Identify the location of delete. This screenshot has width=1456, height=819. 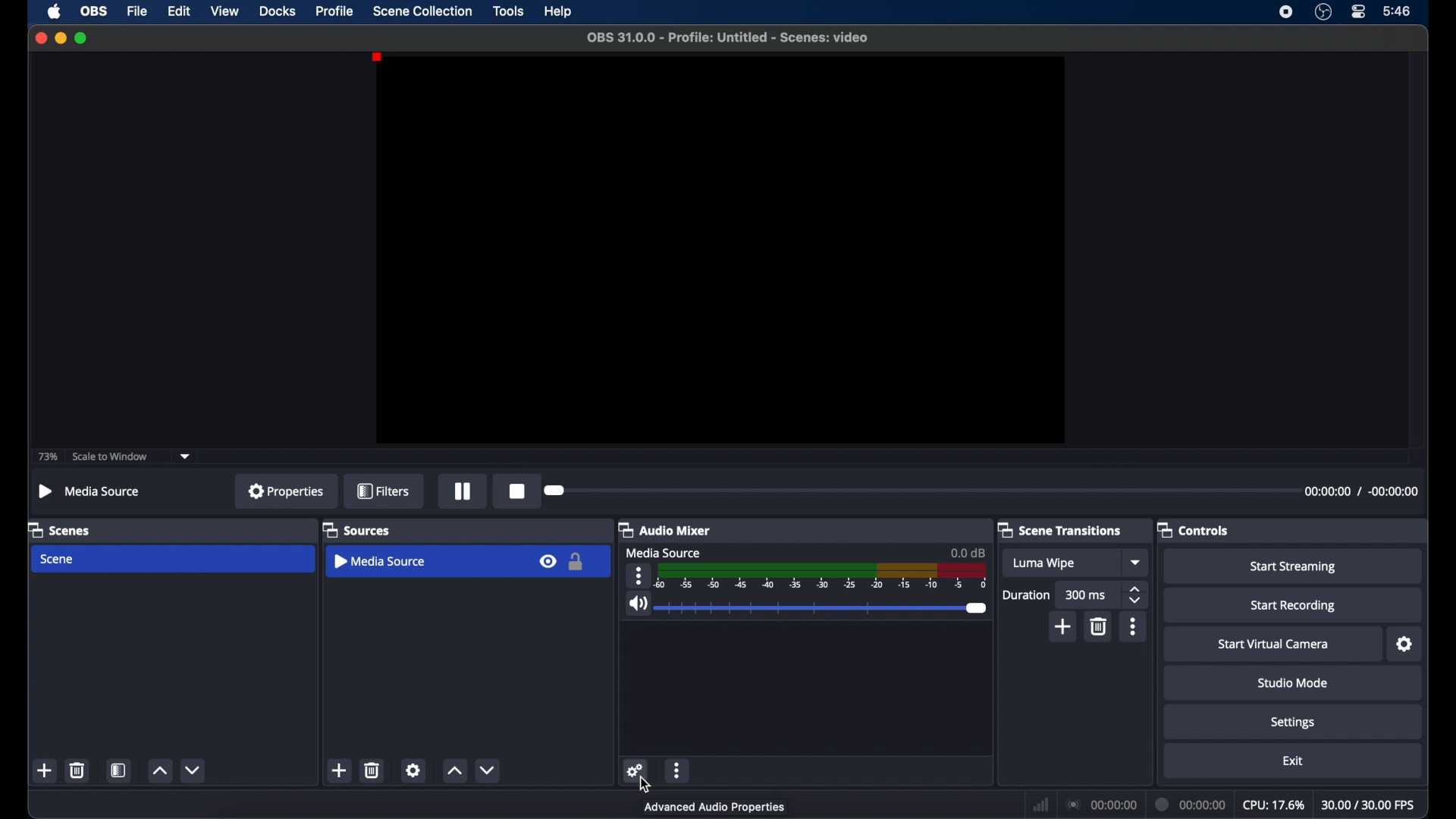
(373, 770).